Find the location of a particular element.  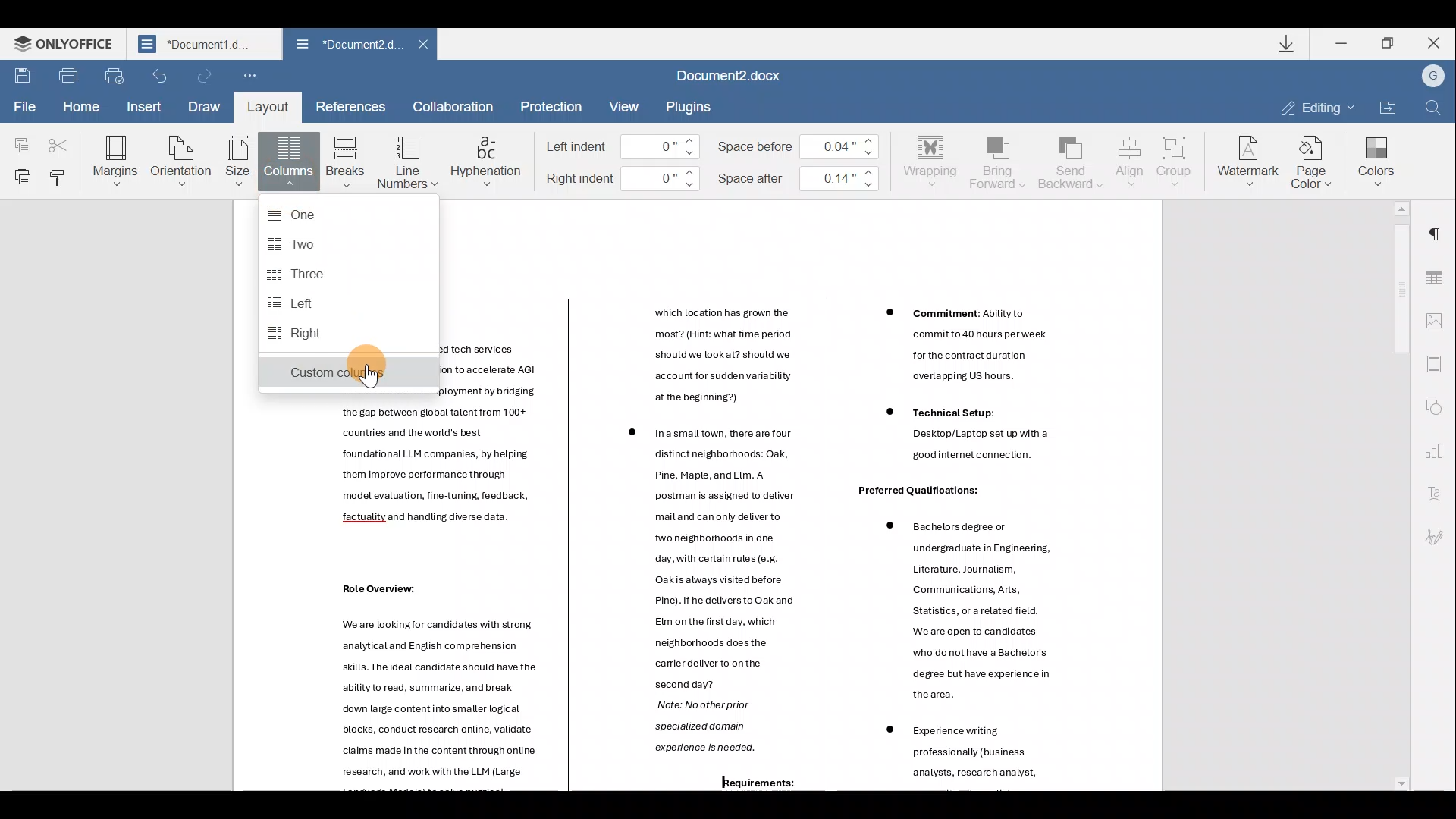

Custom columns is located at coordinates (347, 375).